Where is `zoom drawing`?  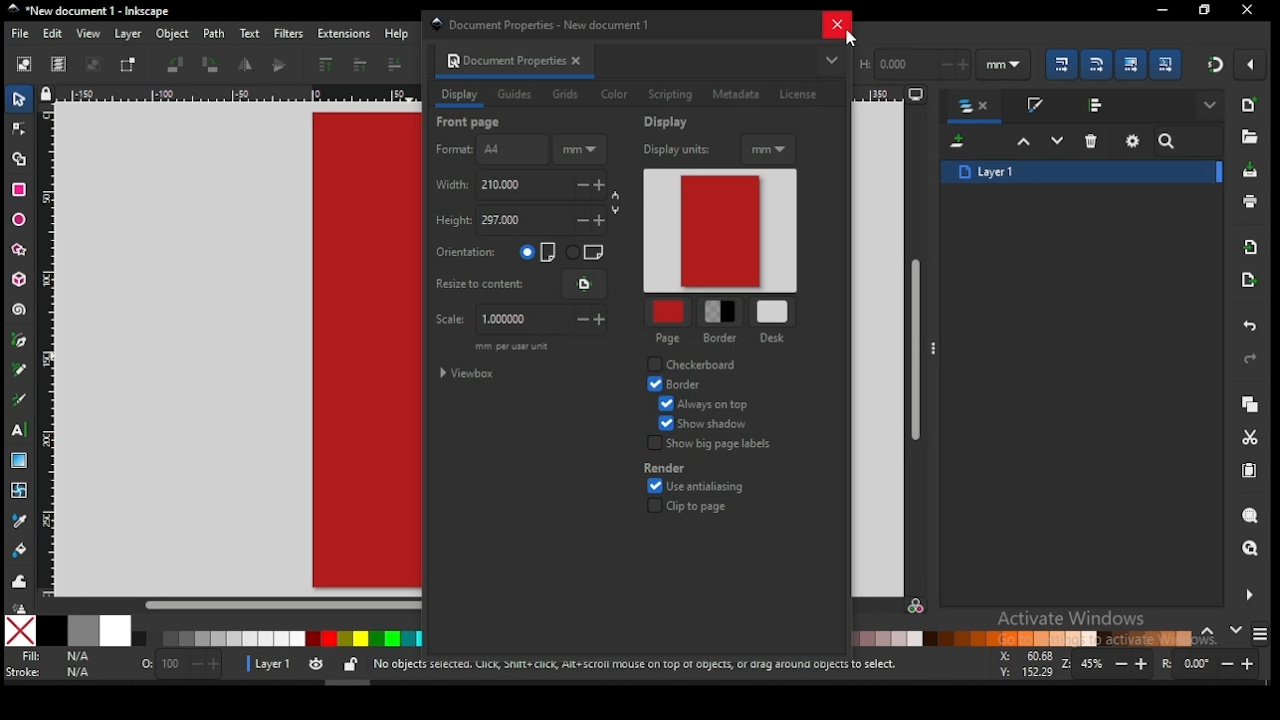 zoom drawing is located at coordinates (1251, 550).